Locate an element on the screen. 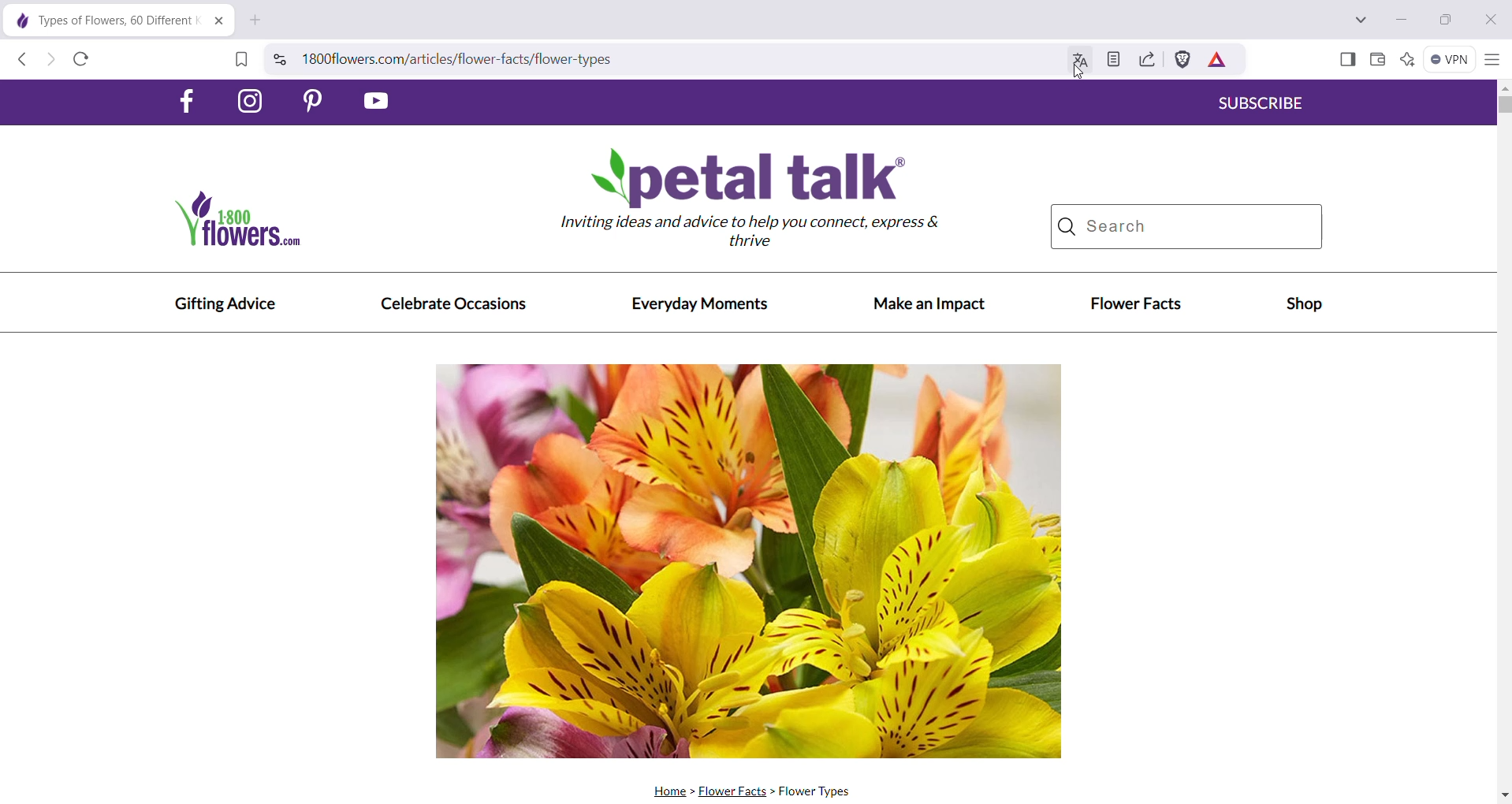  Reload this page is located at coordinates (84, 61).